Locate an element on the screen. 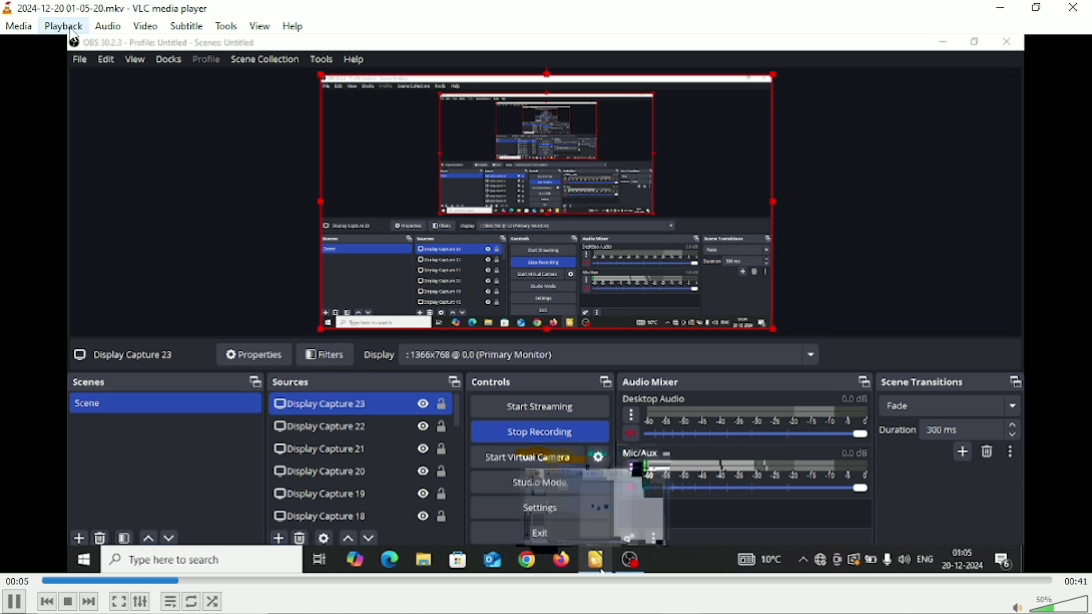 This screenshot has height=614, width=1092. Pause is located at coordinates (14, 602).